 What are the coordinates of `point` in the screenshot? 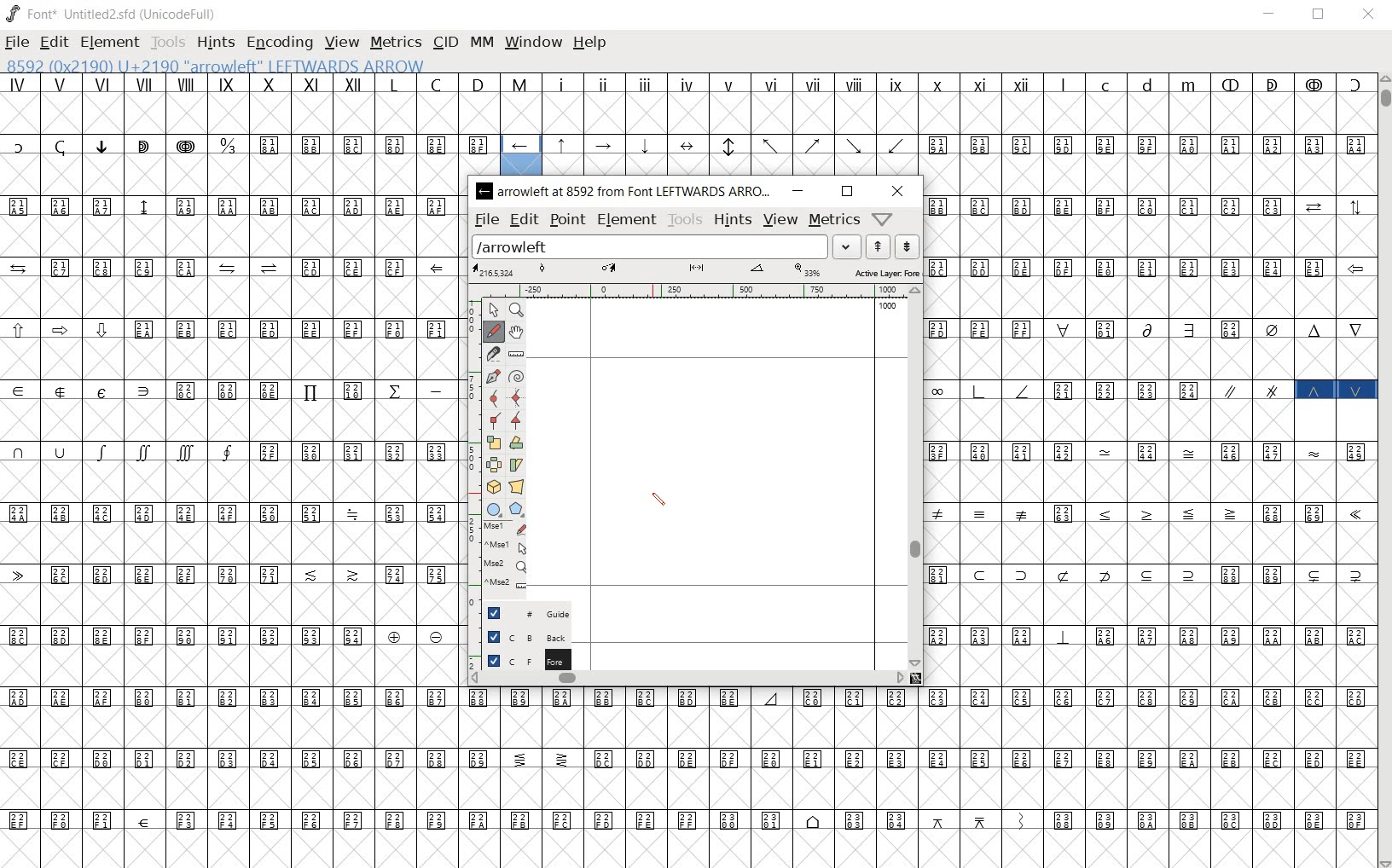 It's located at (565, 218).